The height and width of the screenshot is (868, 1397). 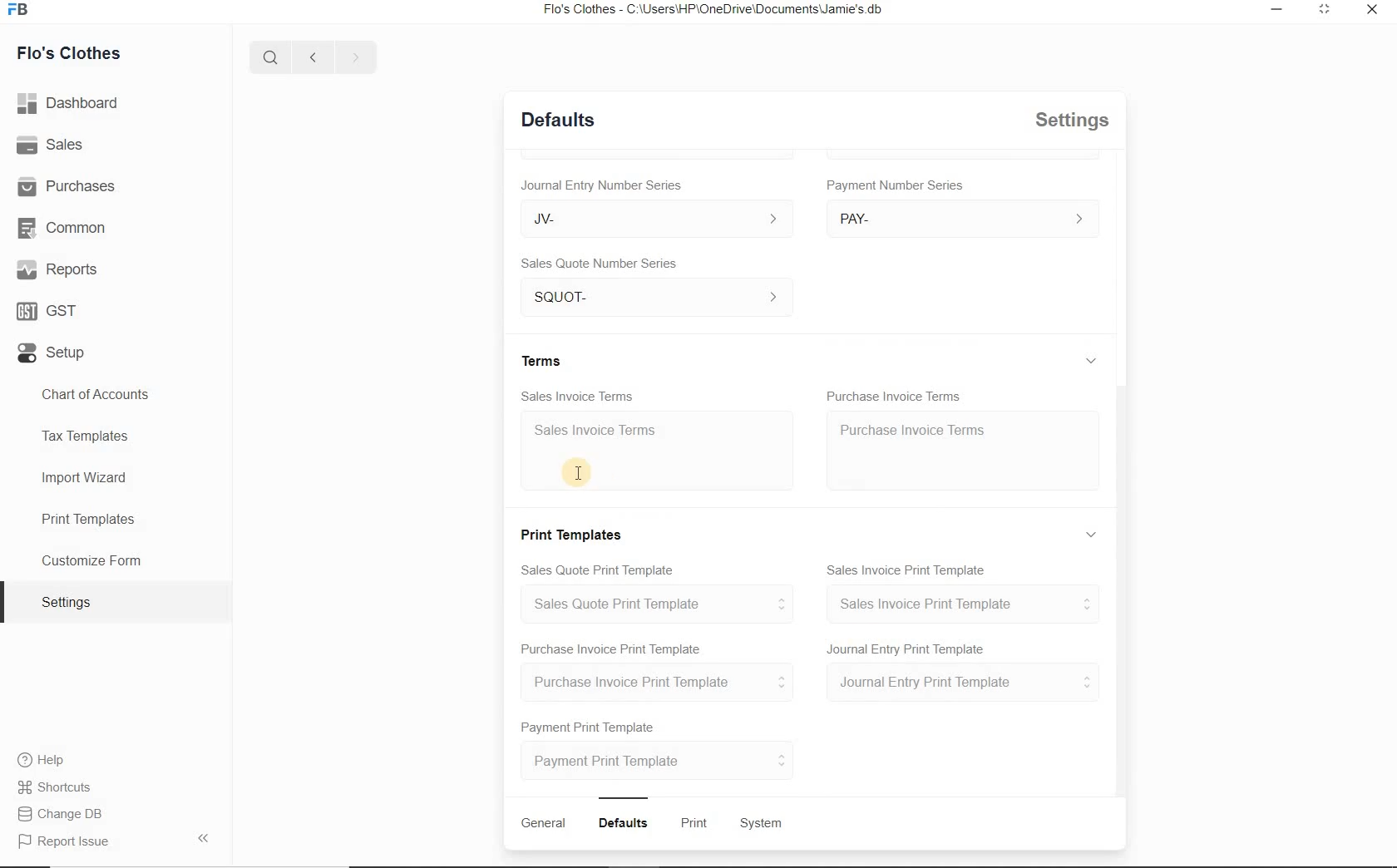 I want to click on Minimize, so click(x=1277, y=9).